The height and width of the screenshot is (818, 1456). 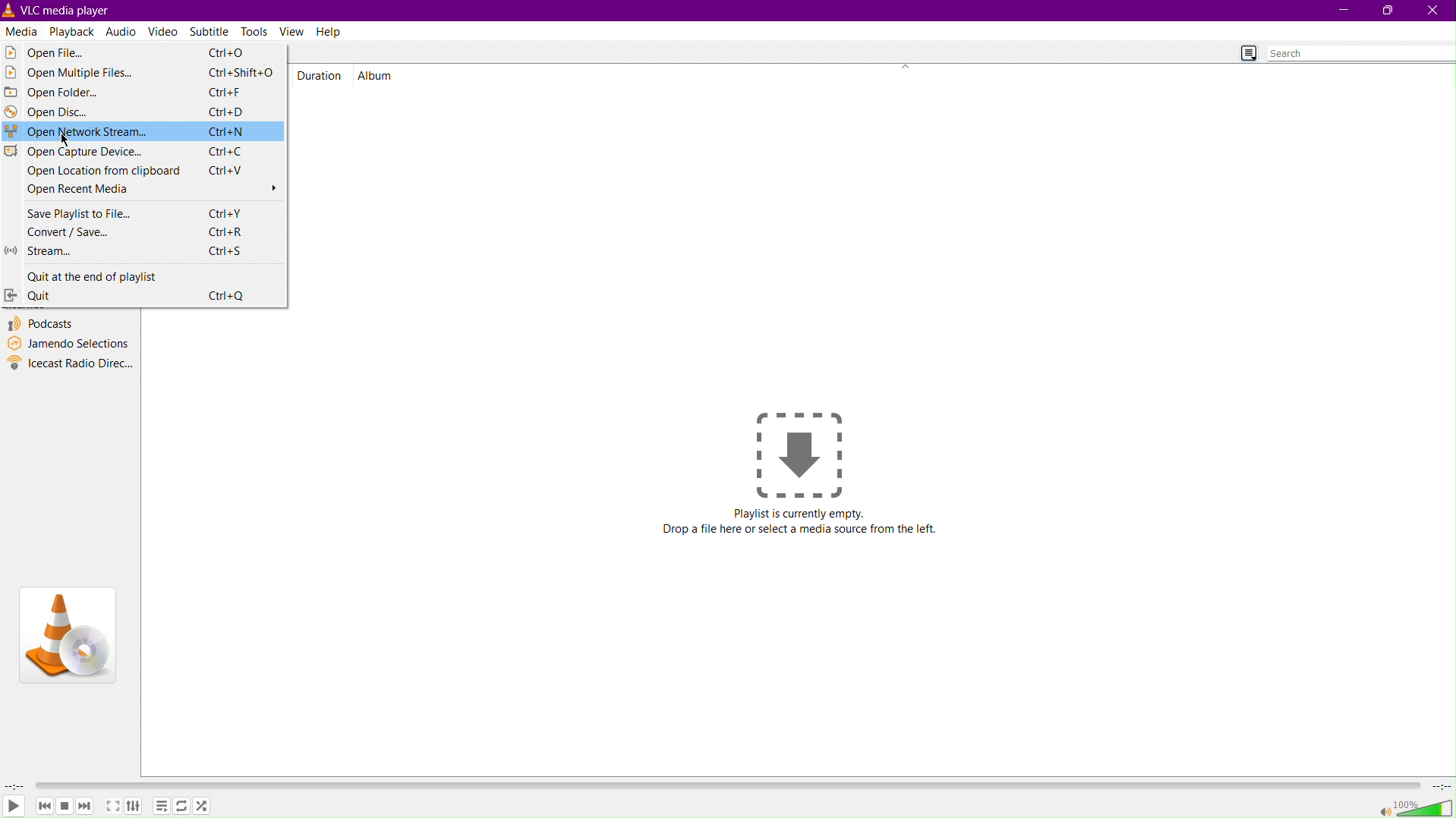 I want to click on Drop a file here or select a media source from the left., so click(x=800, y=530).